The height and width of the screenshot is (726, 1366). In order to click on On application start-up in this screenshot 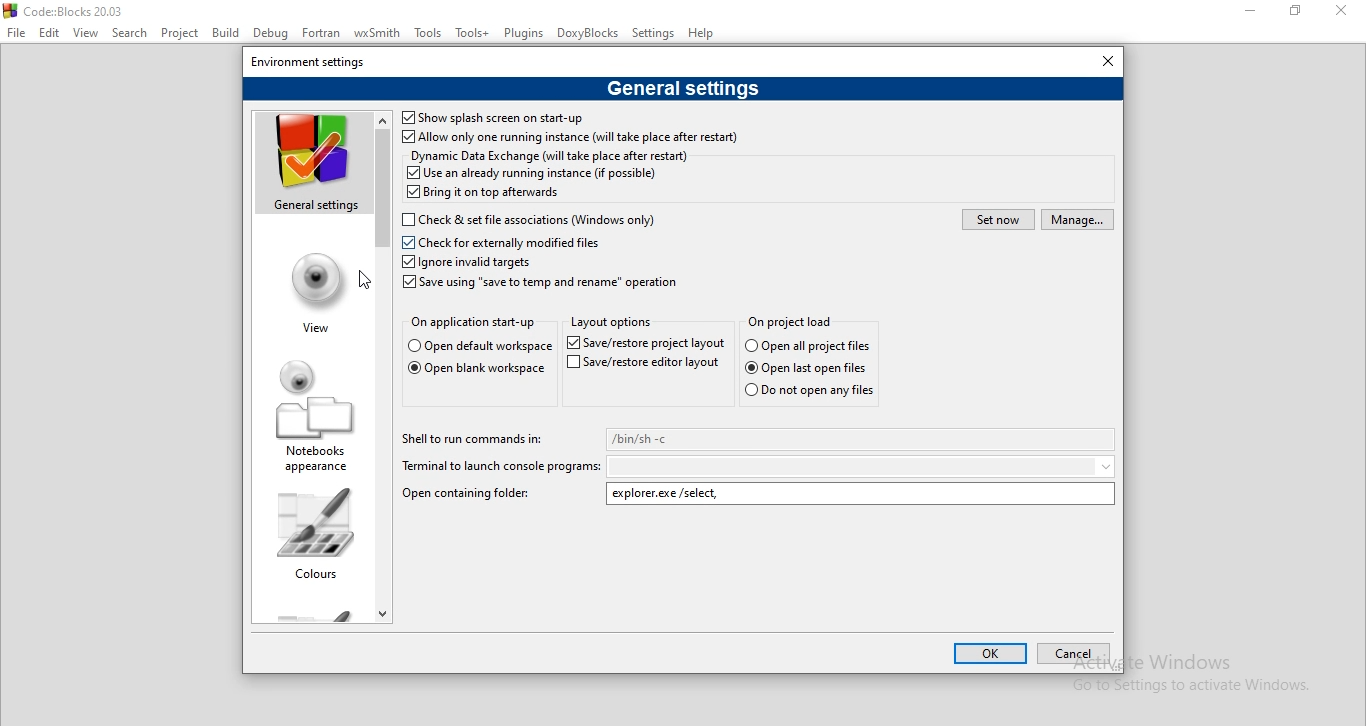, I will do `click(474, 323)`.